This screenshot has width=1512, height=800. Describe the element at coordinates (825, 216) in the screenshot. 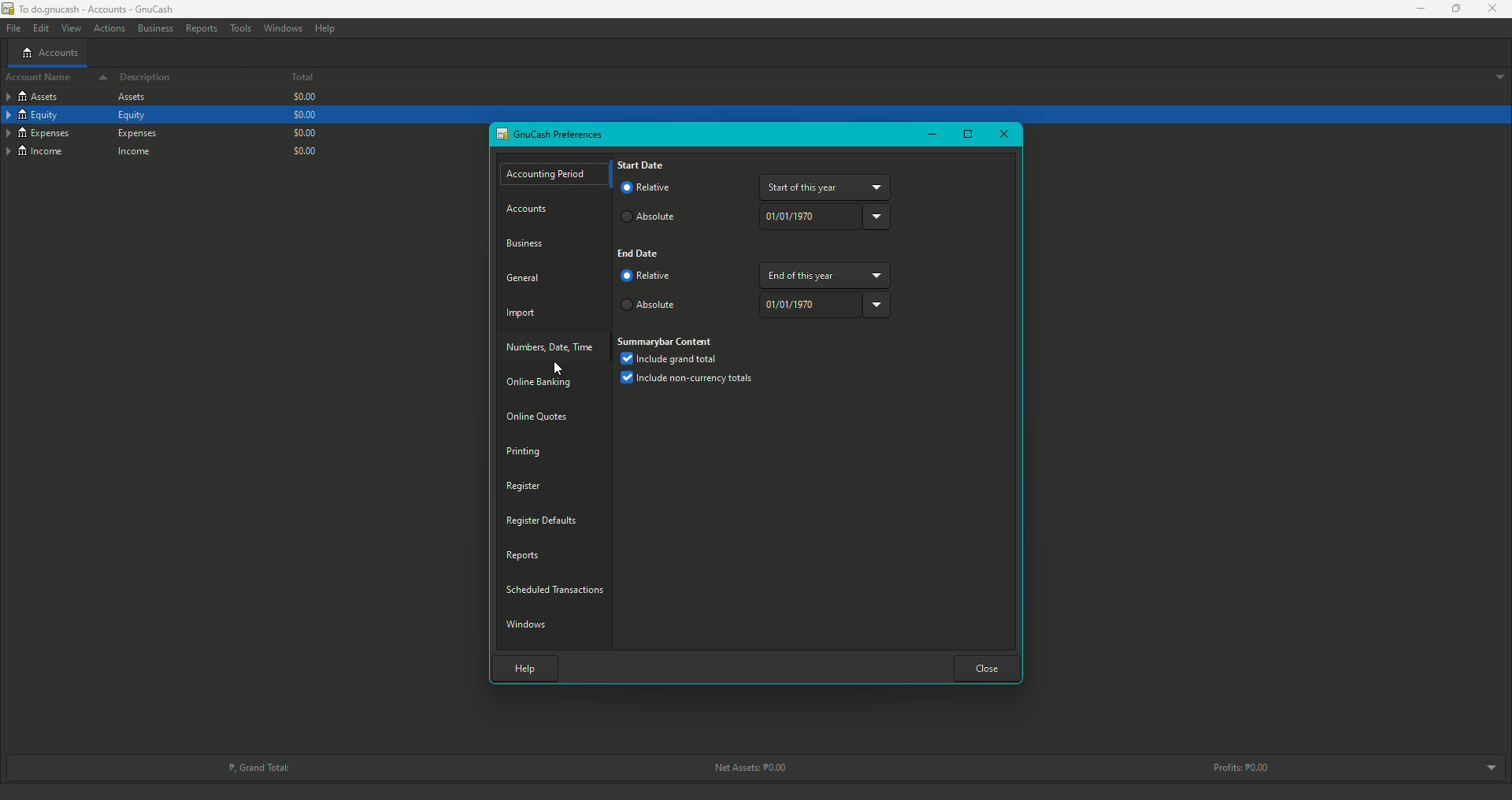

I see `Date` at that location.